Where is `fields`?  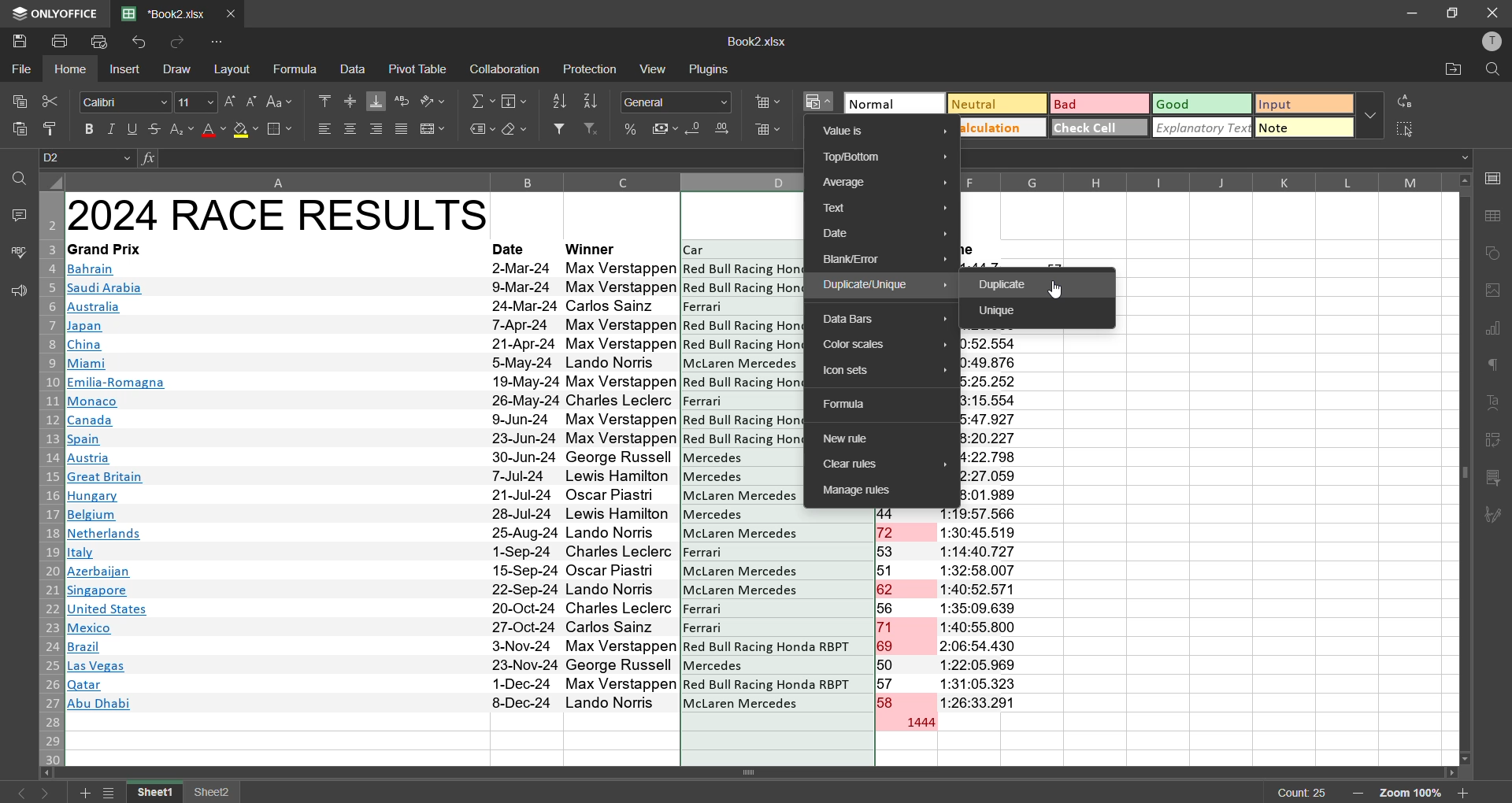 fields is located at coordinates (517, 101).